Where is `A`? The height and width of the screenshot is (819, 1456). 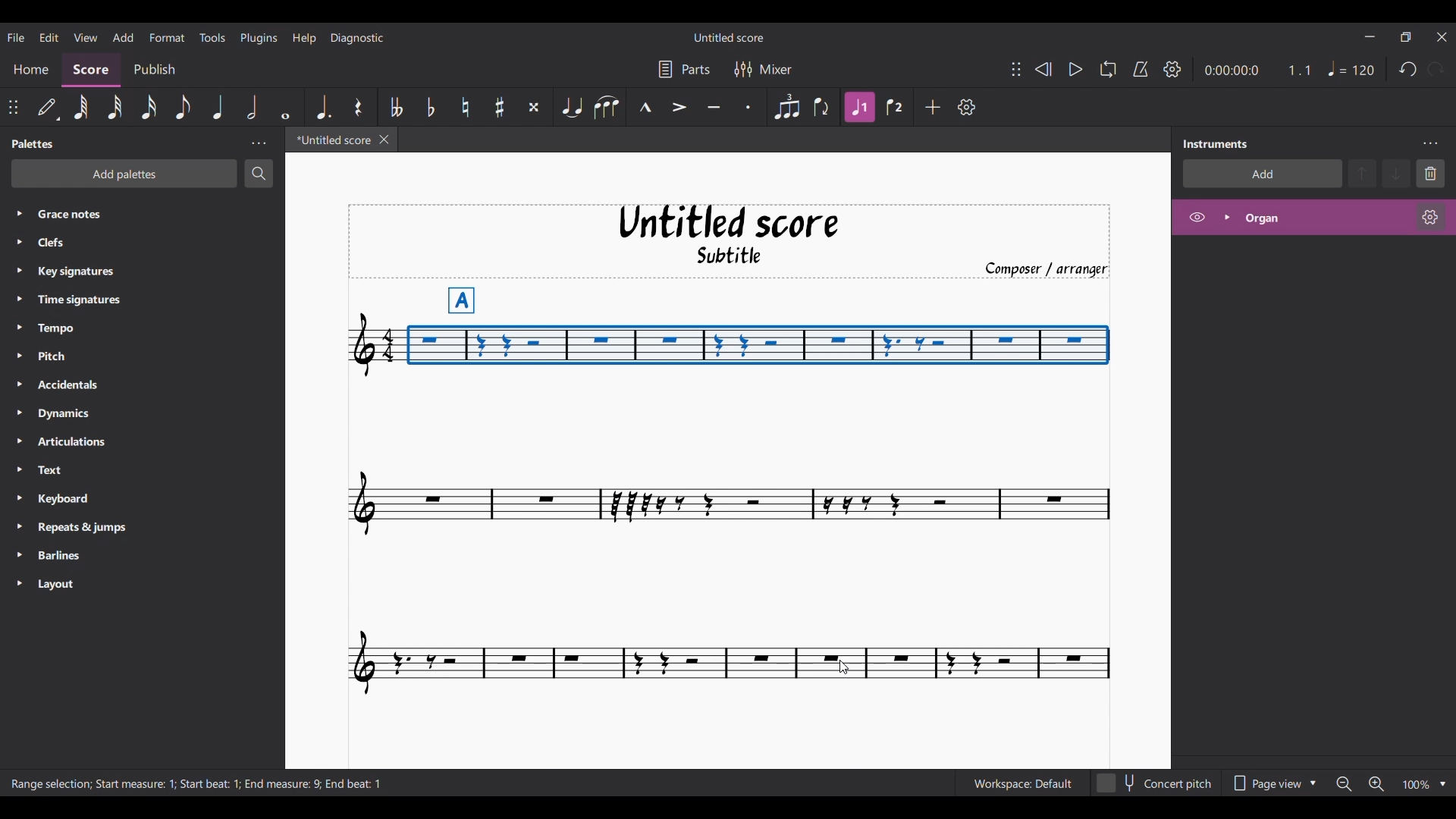 A is located at coordinates (463, 296).